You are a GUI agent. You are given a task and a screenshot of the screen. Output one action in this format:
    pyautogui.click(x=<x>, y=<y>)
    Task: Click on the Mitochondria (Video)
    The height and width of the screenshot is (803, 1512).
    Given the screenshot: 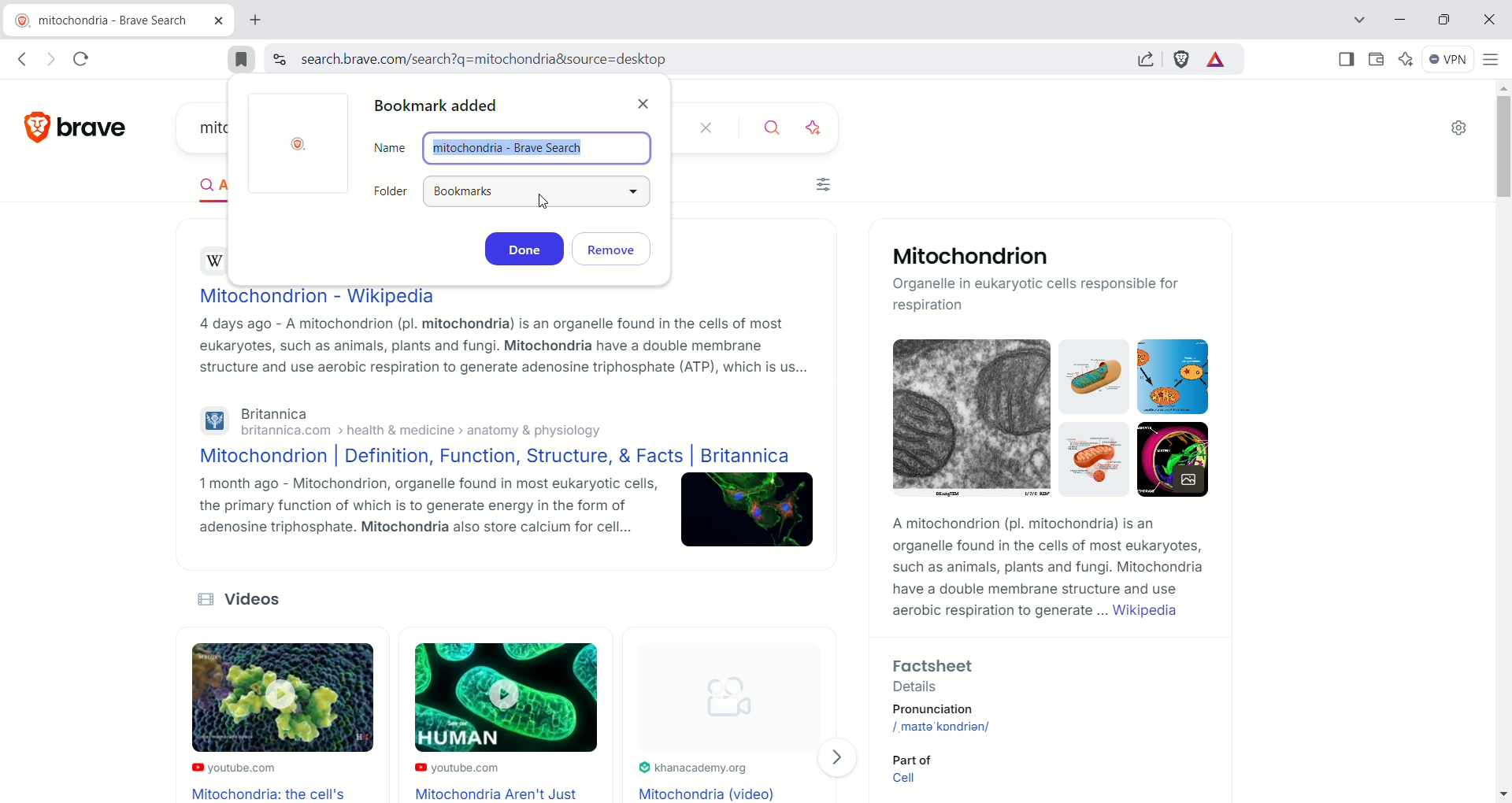 What is the action you would take?
    pyautogui.click(x=710, y=793)
    